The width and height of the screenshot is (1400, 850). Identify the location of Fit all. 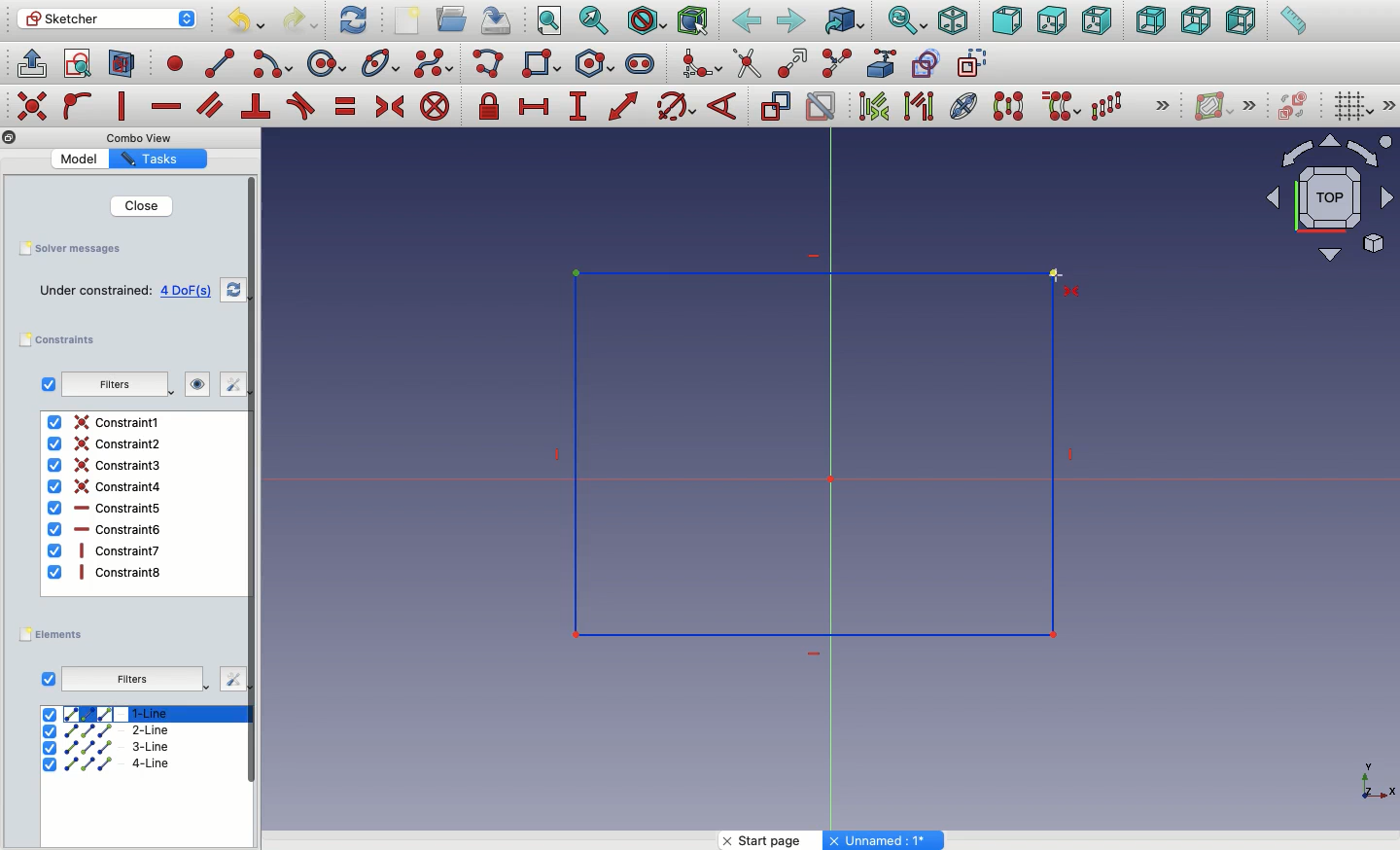
(547, 22).